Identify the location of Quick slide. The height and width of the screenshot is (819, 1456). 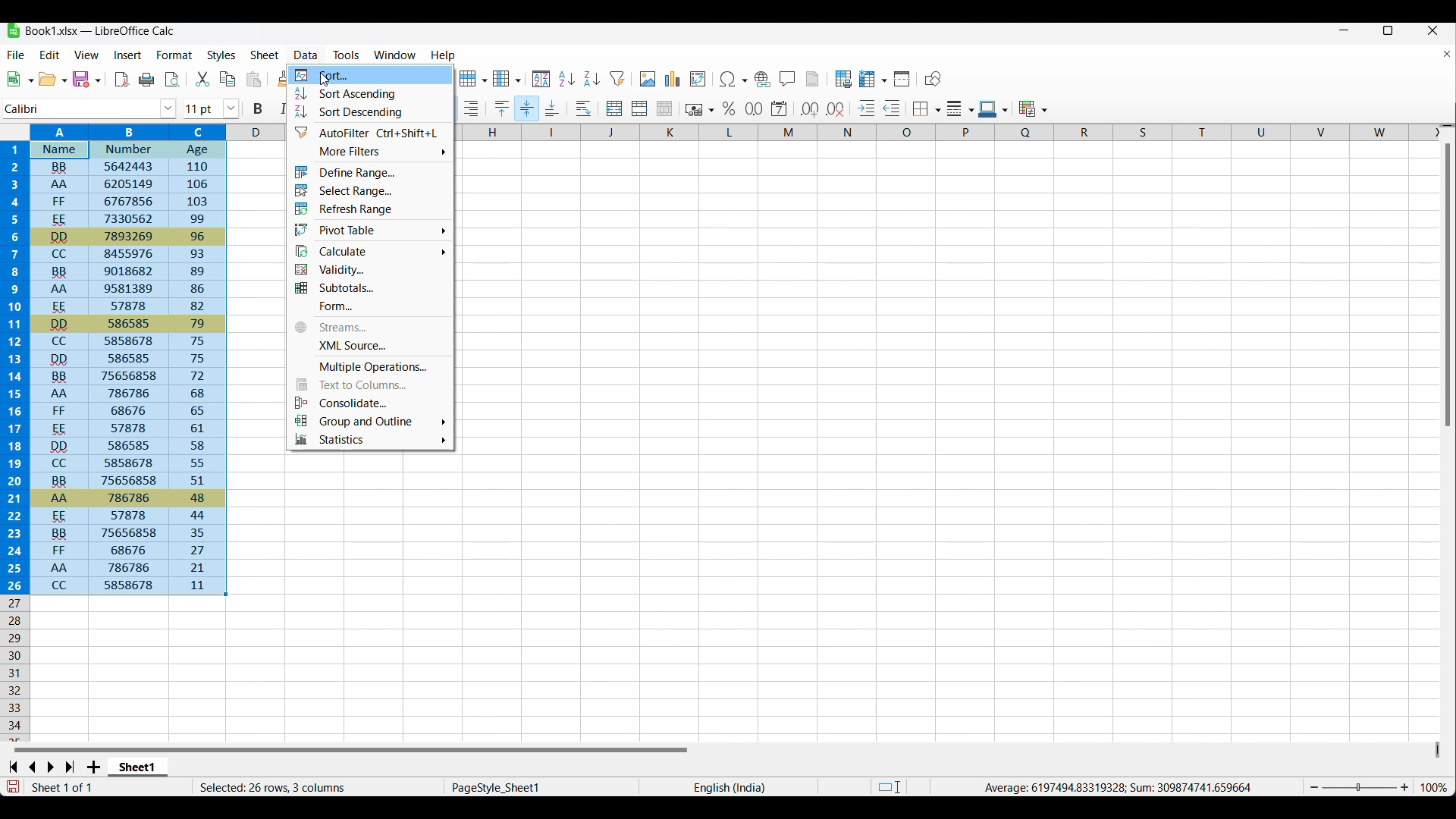
(1438, 750).